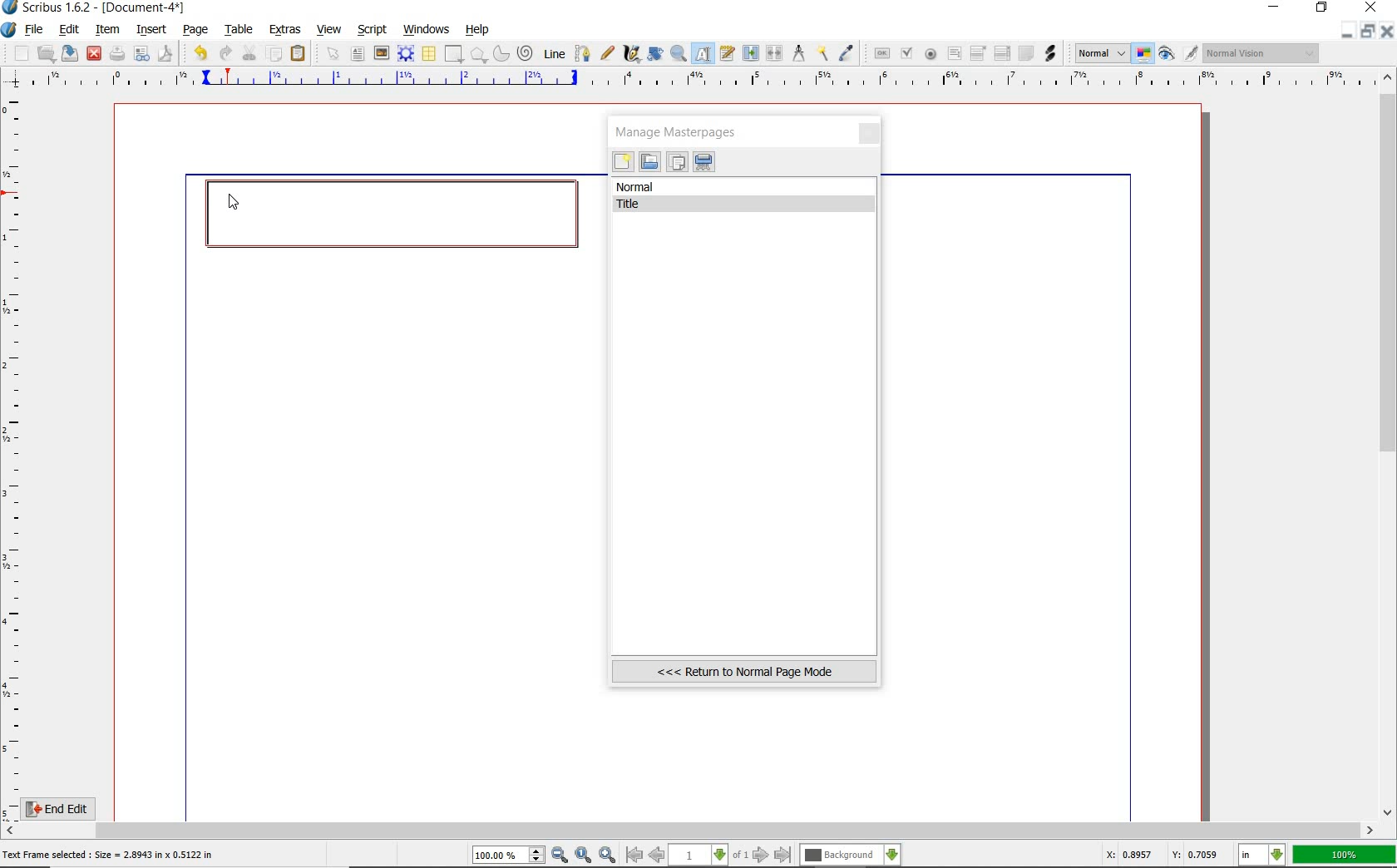 Image resolution: width=1397 pixels, height=868 pixels. I want to click on extras, so click(286, 30).